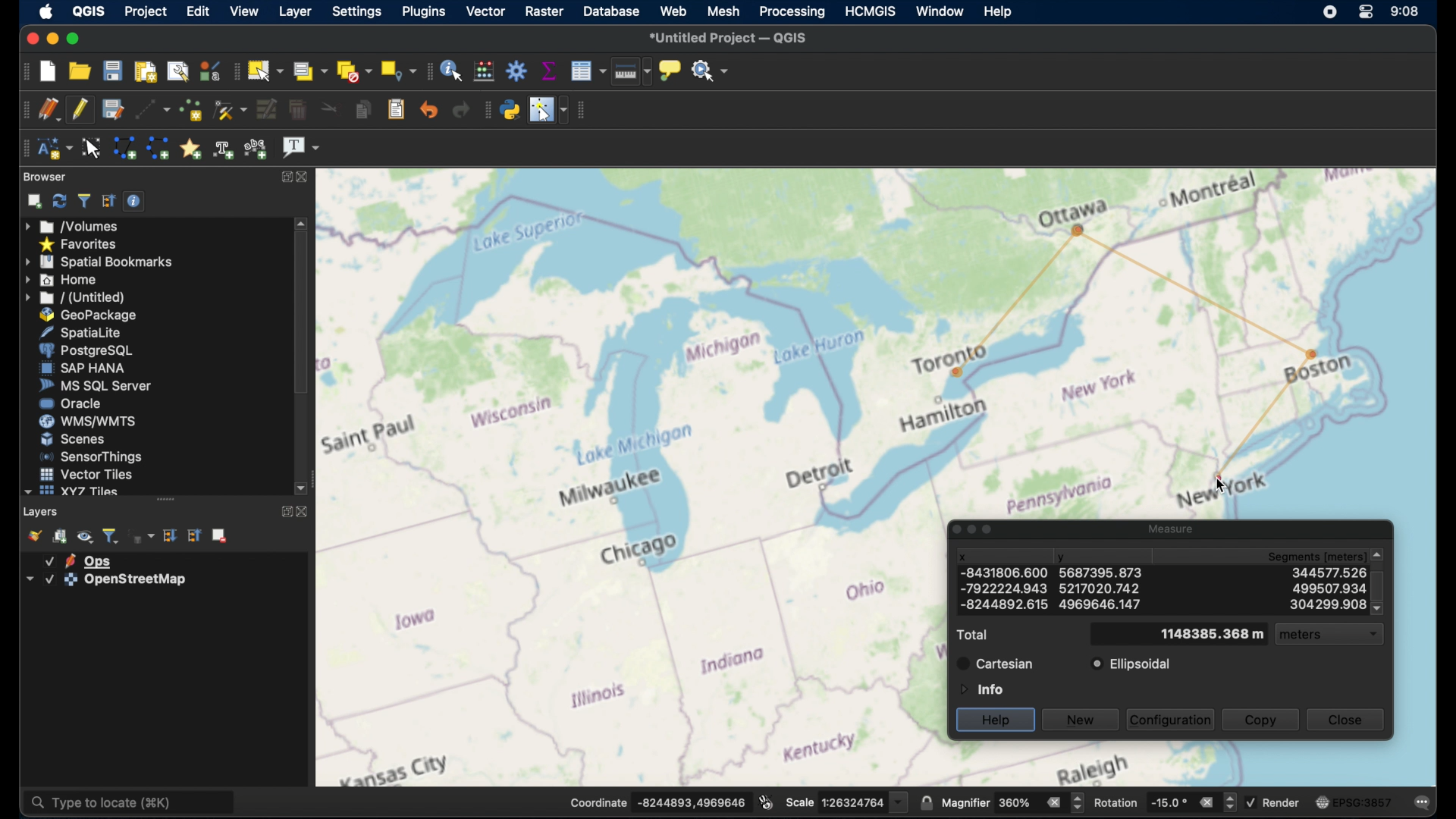 The image size is (1456, 819). I want to click on maximize, so click(991, 531).